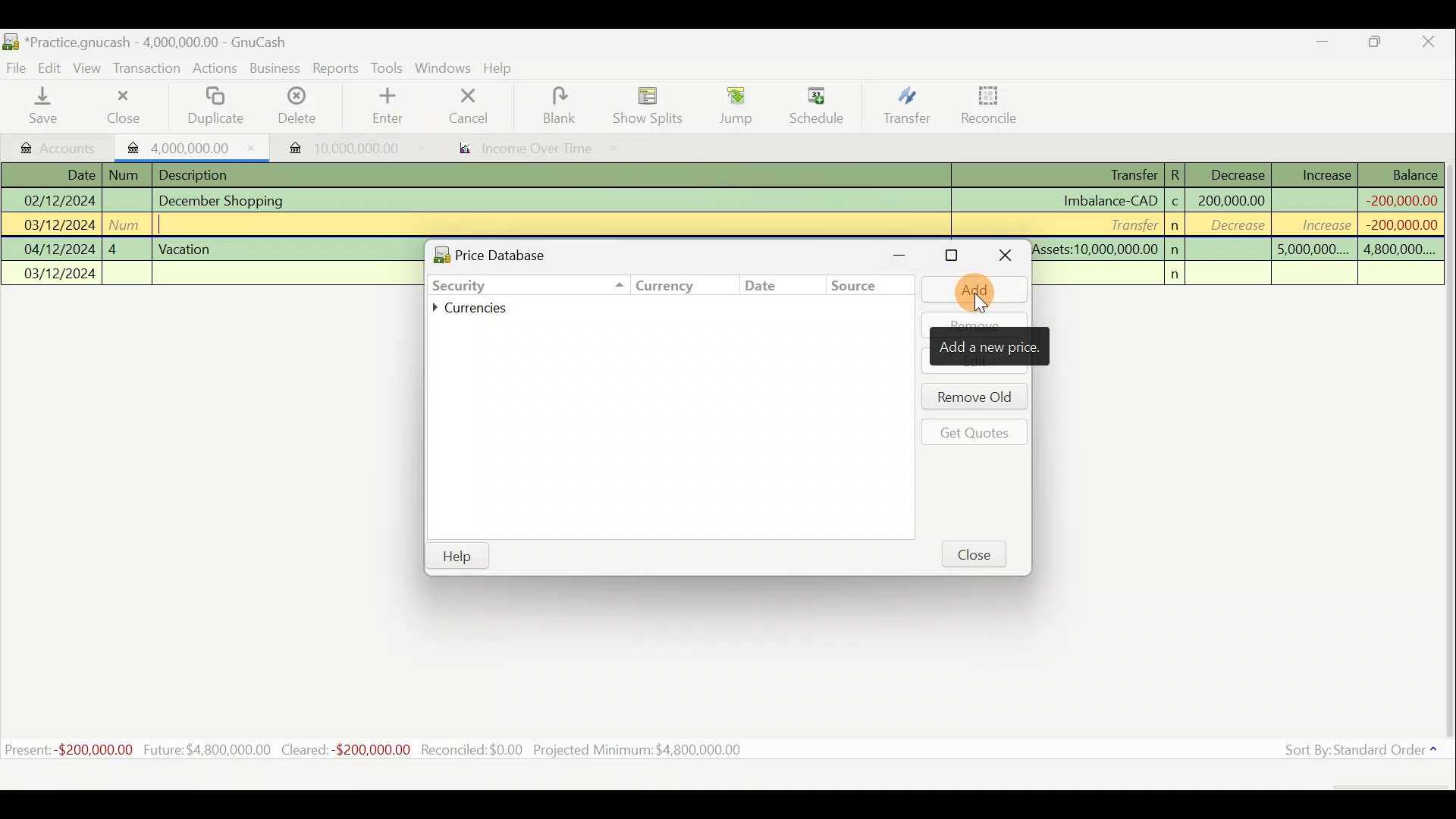 This screenshot has width=1456, height=819. What do you see at coordinates (53, 145) in the screenshot?
I see `Accounts` at bounding box center [53, 145].